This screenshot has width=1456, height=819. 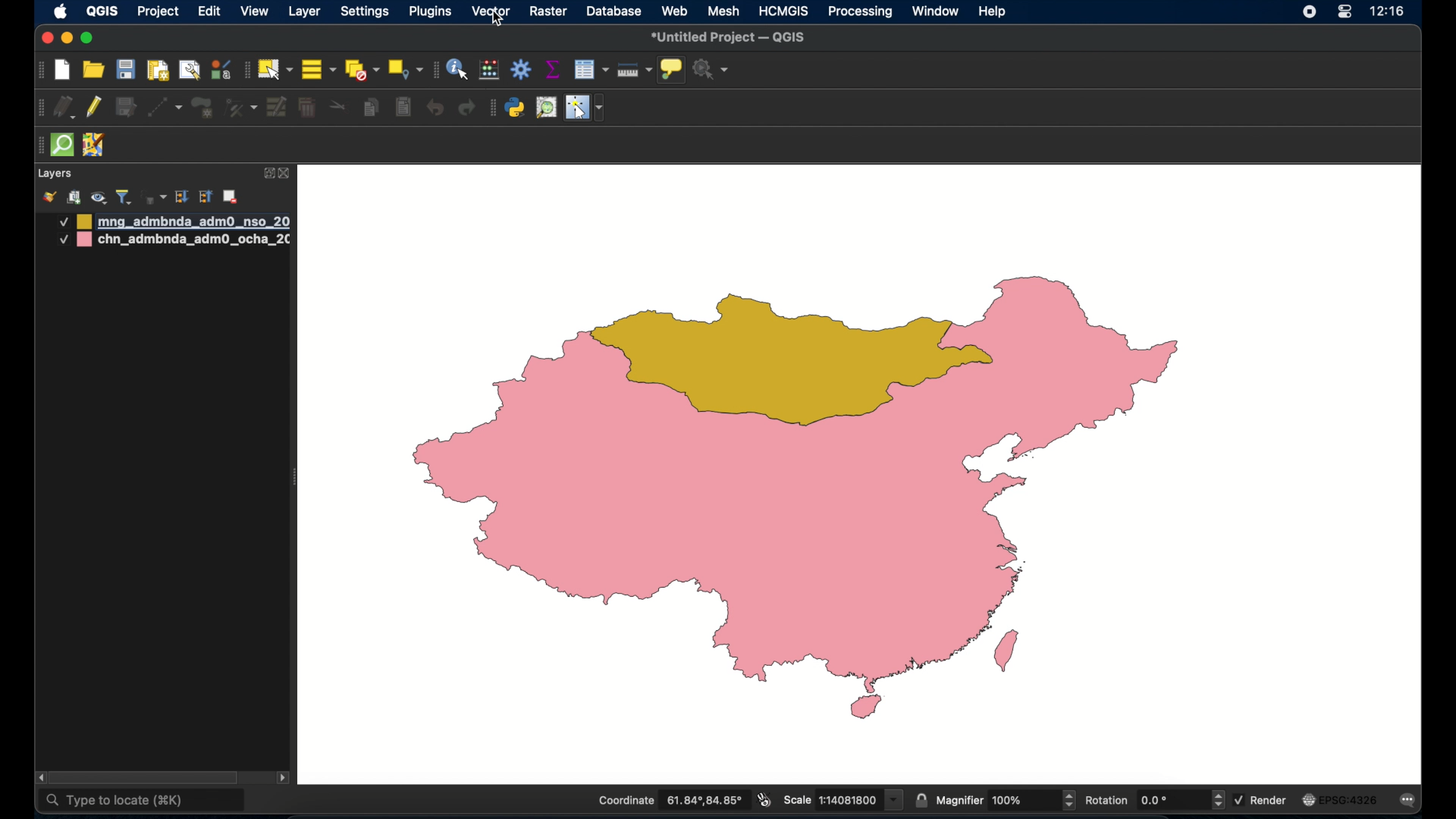 What do you see at coordinates (45, 39) in the screenshot?
I see `close` at bounding box center [45, 39].